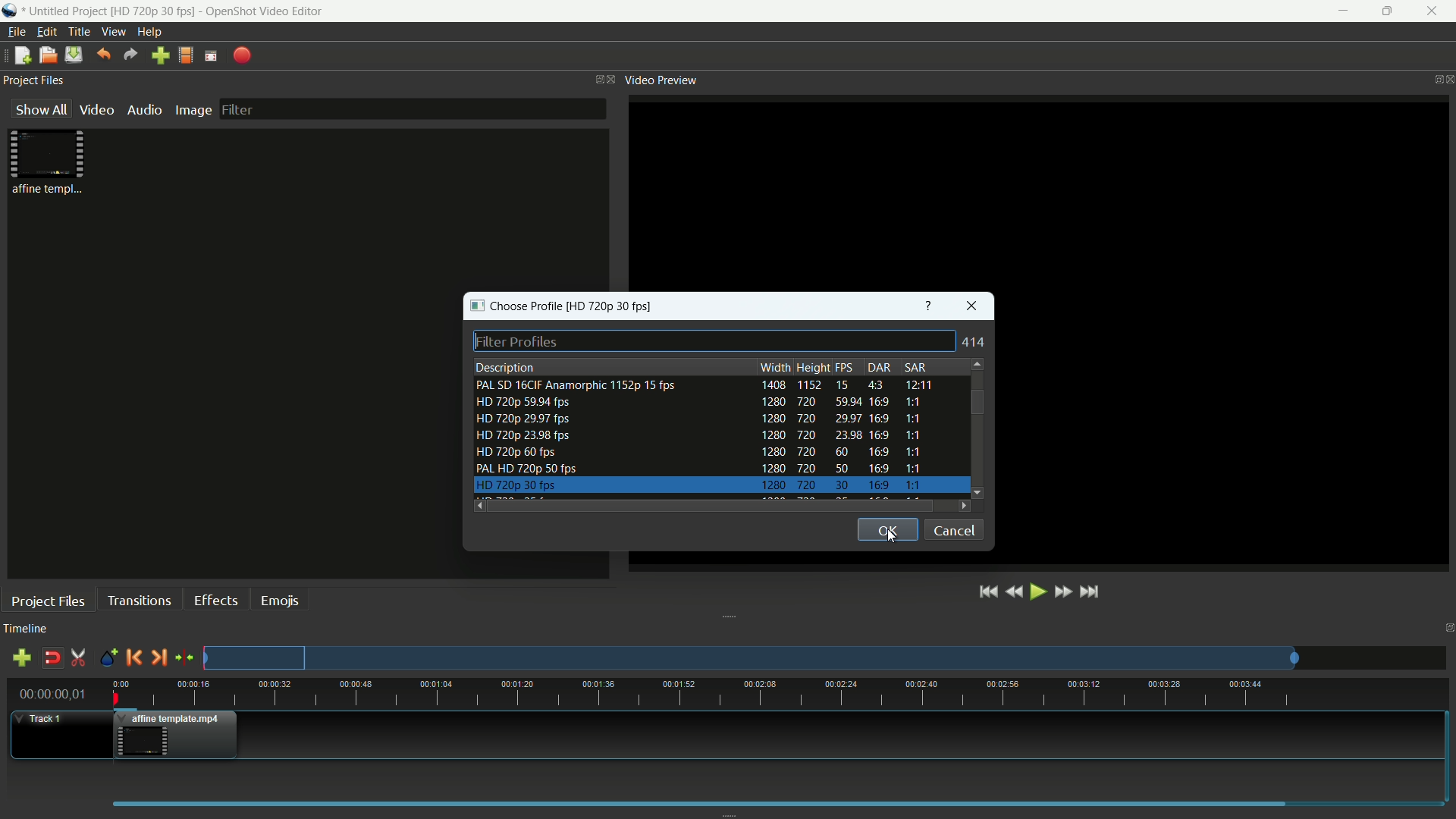  I want to click on next marker, so click(159, 657).